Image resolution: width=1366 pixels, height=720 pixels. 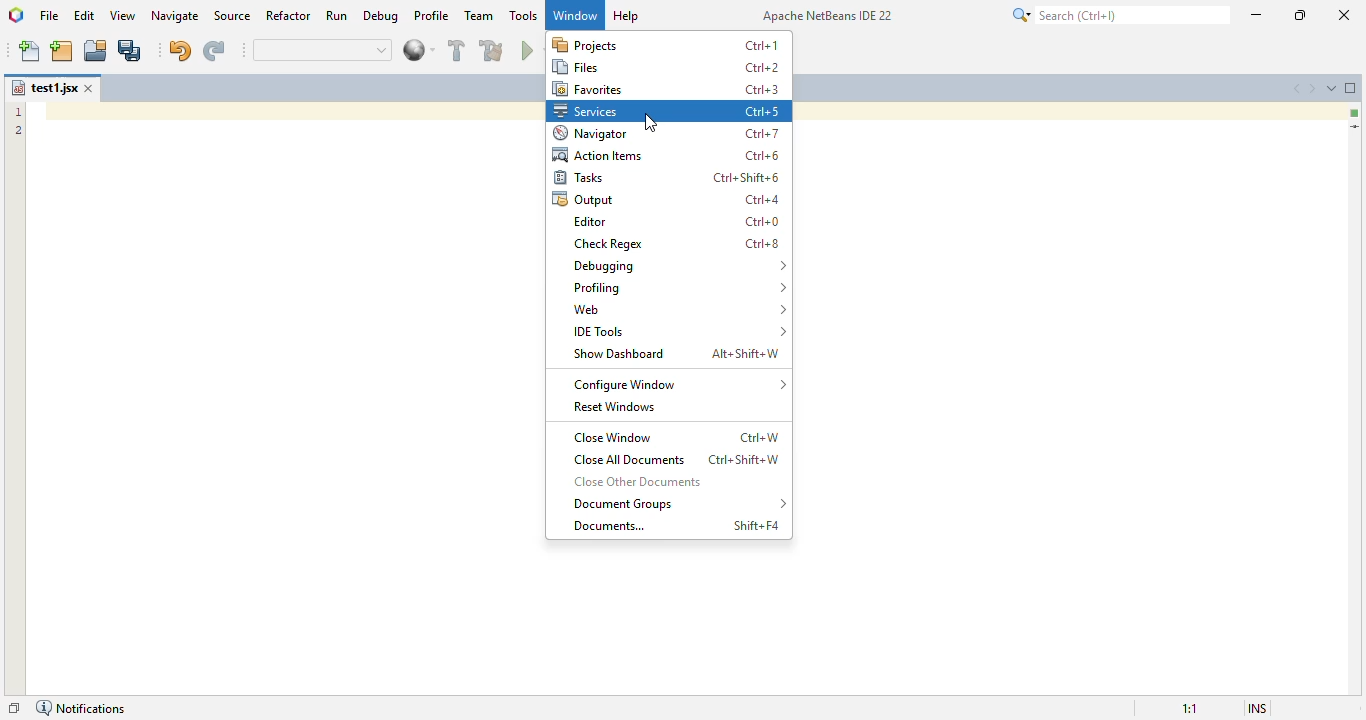 I want to click on close, so click(x=1344, y=14).